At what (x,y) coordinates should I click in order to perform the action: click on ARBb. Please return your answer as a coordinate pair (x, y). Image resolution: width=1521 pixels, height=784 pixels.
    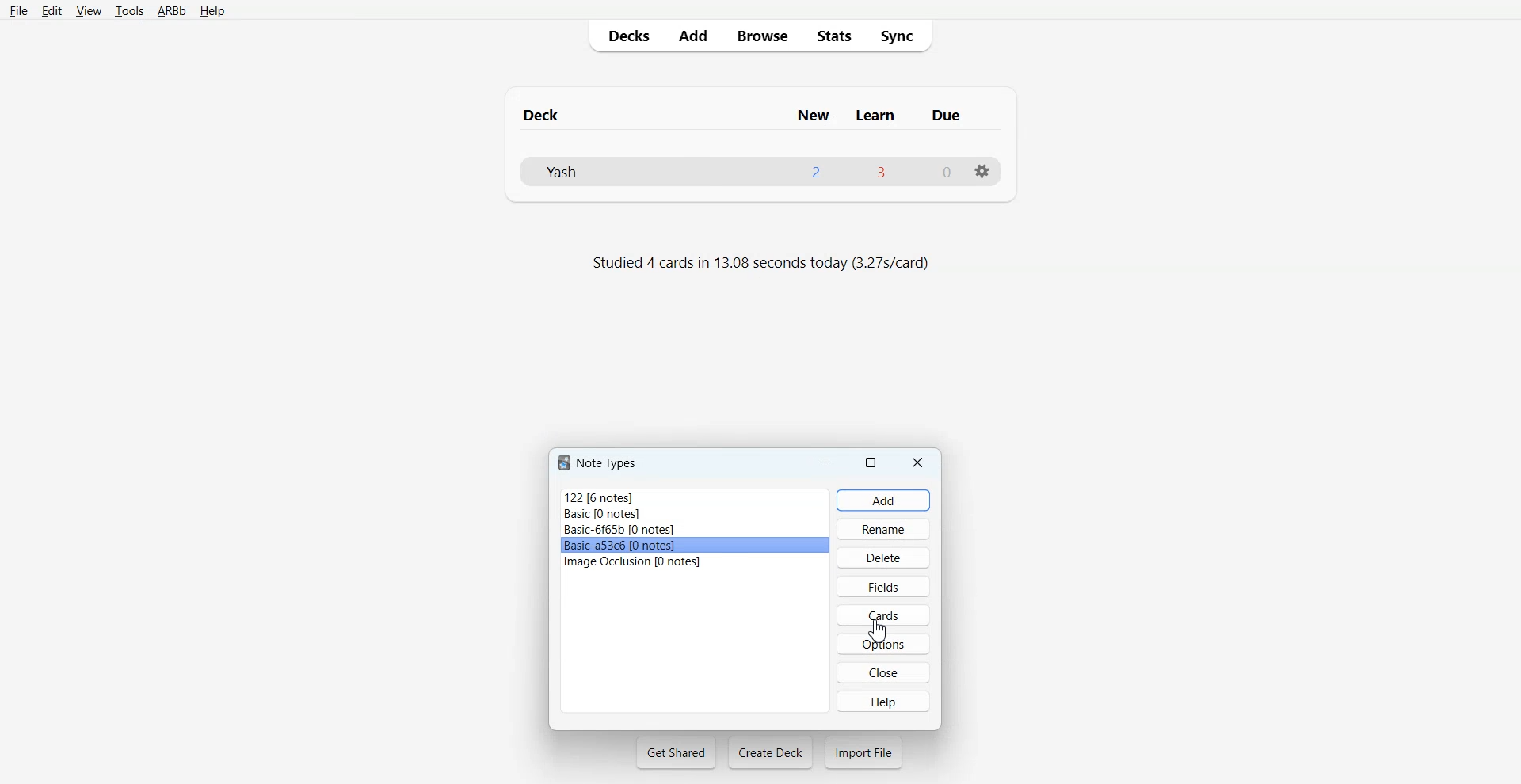
    Looking at the image, I should click on (170, 12).